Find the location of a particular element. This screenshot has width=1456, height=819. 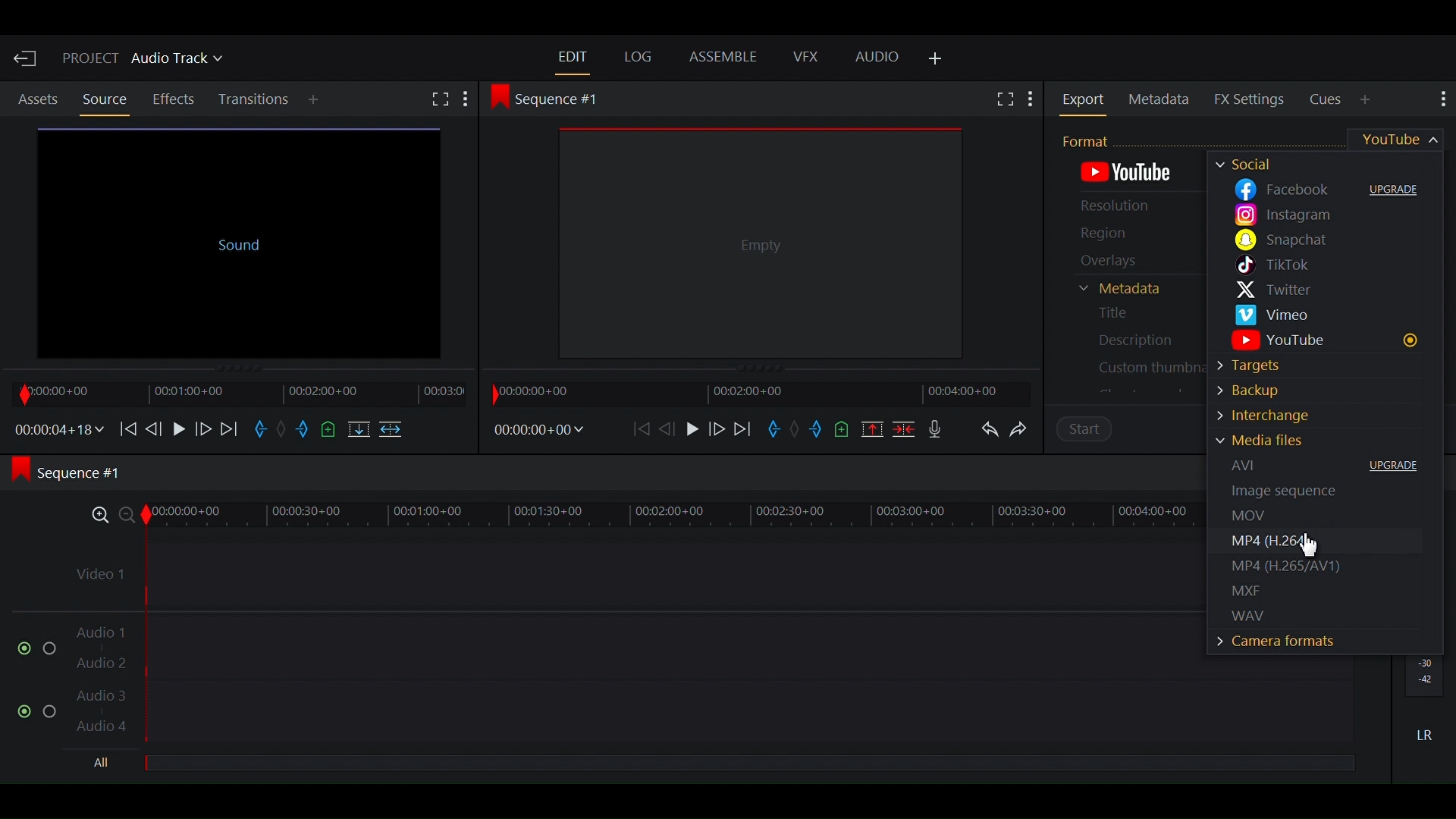

Youtube is located at coordinates (1323, 341).